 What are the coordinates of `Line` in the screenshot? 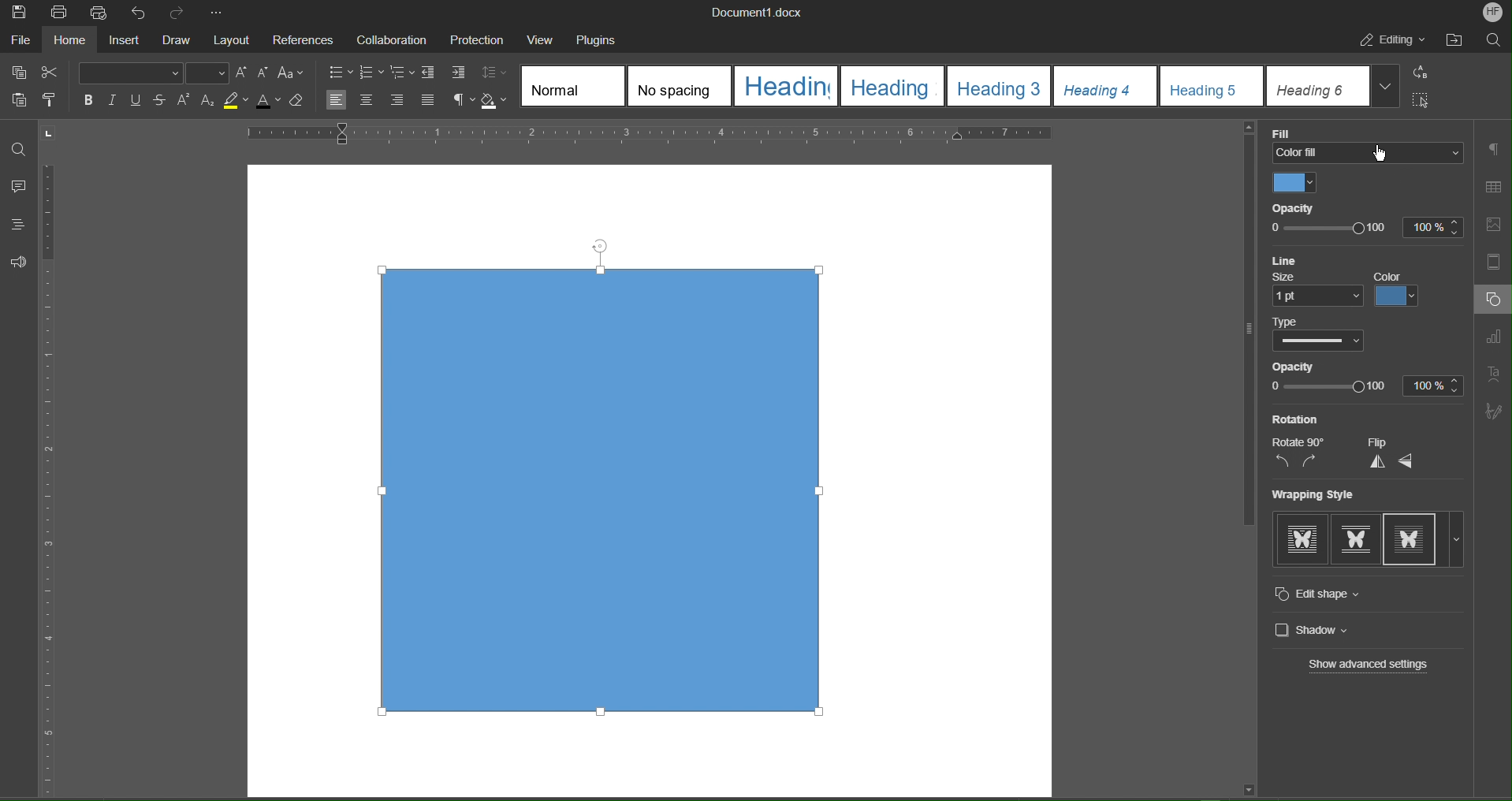 It's located at (1287, 259).